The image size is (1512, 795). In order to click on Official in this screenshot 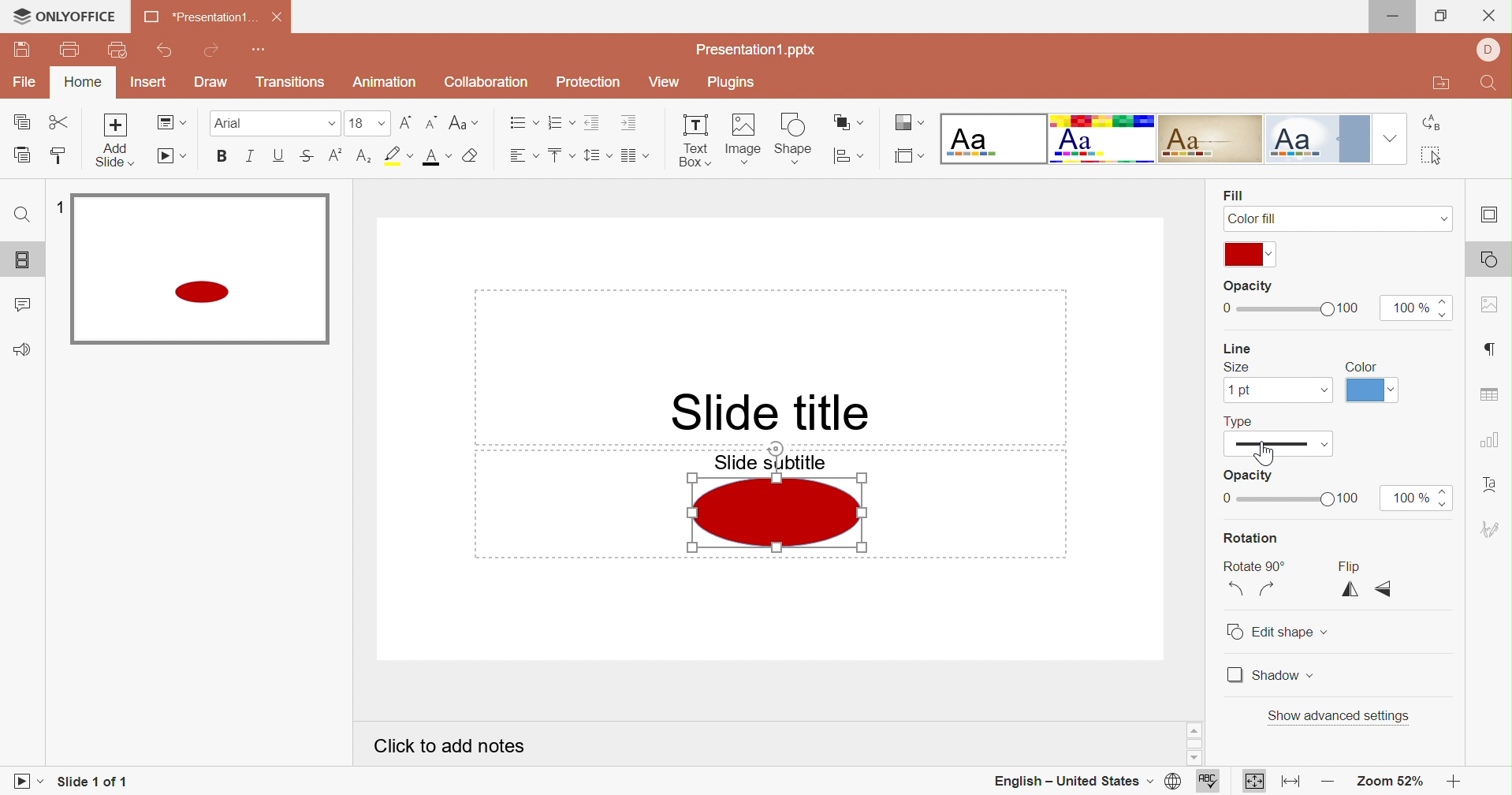, I will do `click(1321, 140)`.